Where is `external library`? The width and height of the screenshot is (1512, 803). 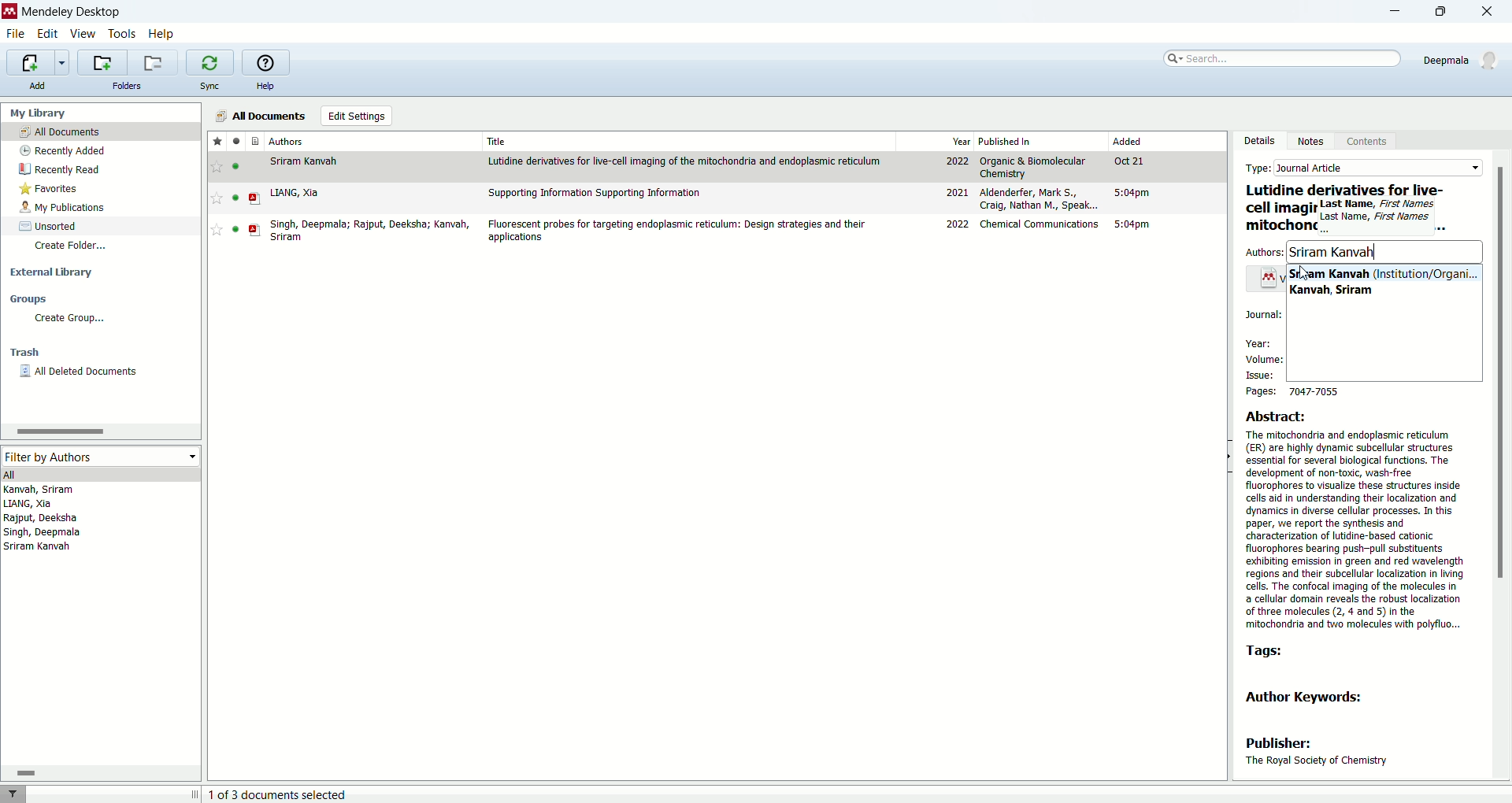
external library is located at coordinates (52, 271).